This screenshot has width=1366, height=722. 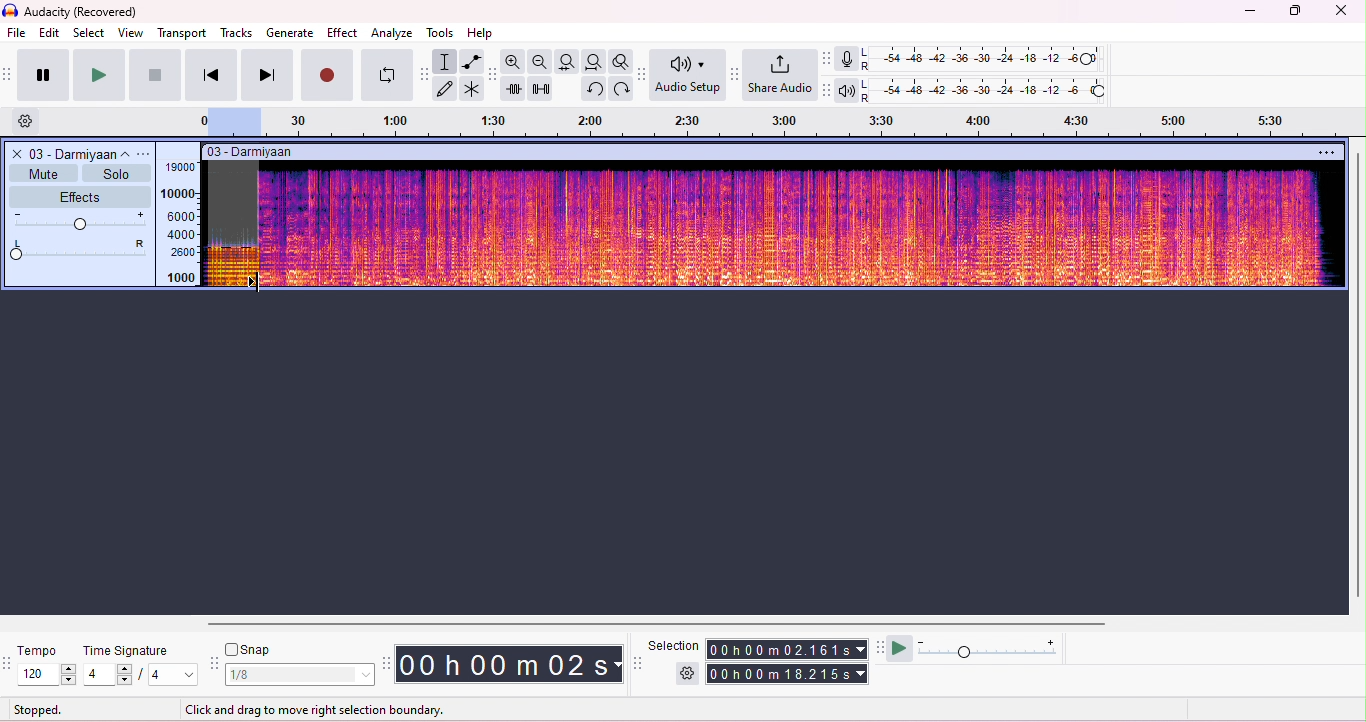 I want to click on share audio tool bar, so click(x=736, y=74).